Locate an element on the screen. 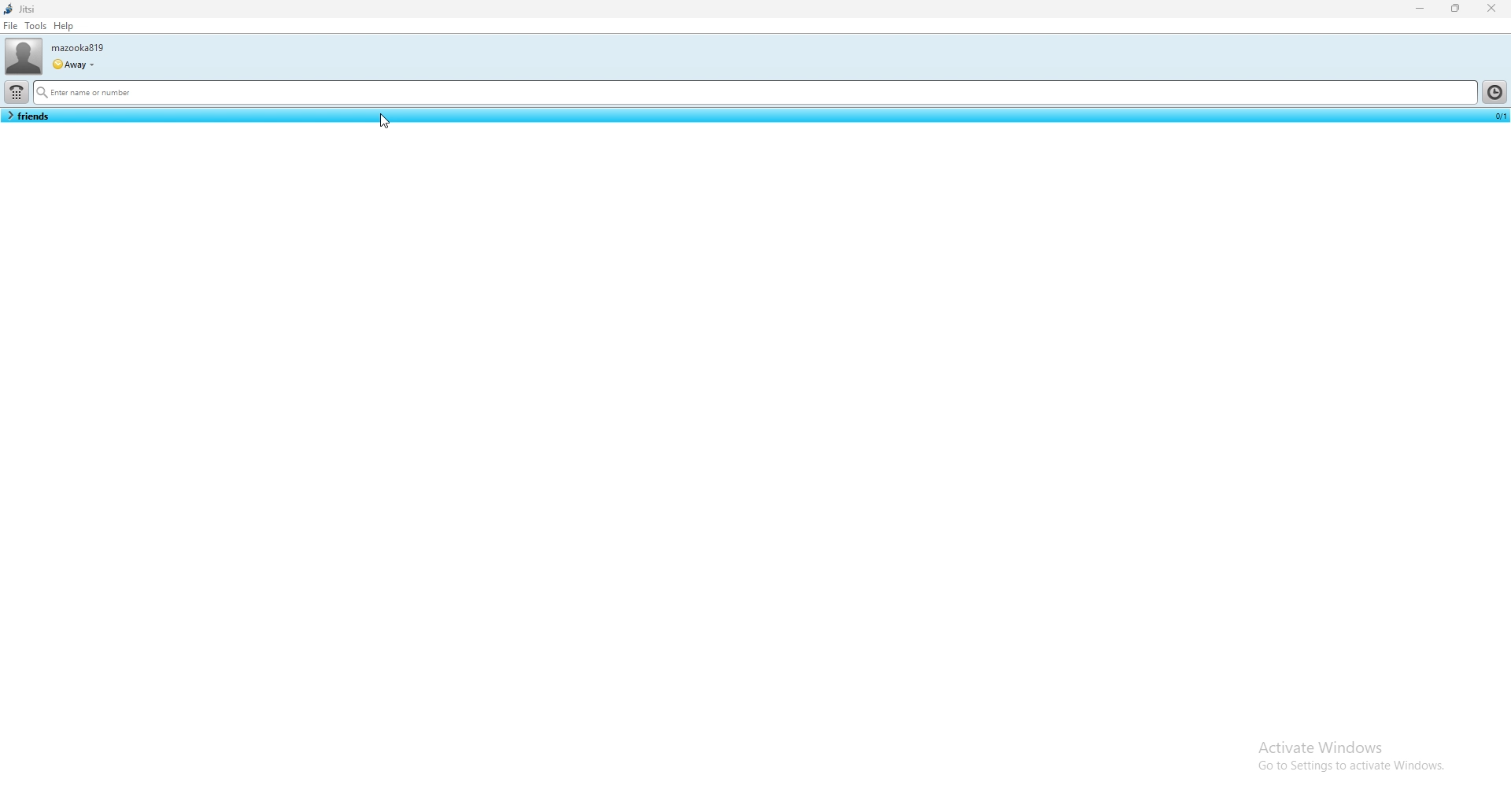 The width and height of the screenshot is (1511, 812). user photo is located at coordinates (24, 56).